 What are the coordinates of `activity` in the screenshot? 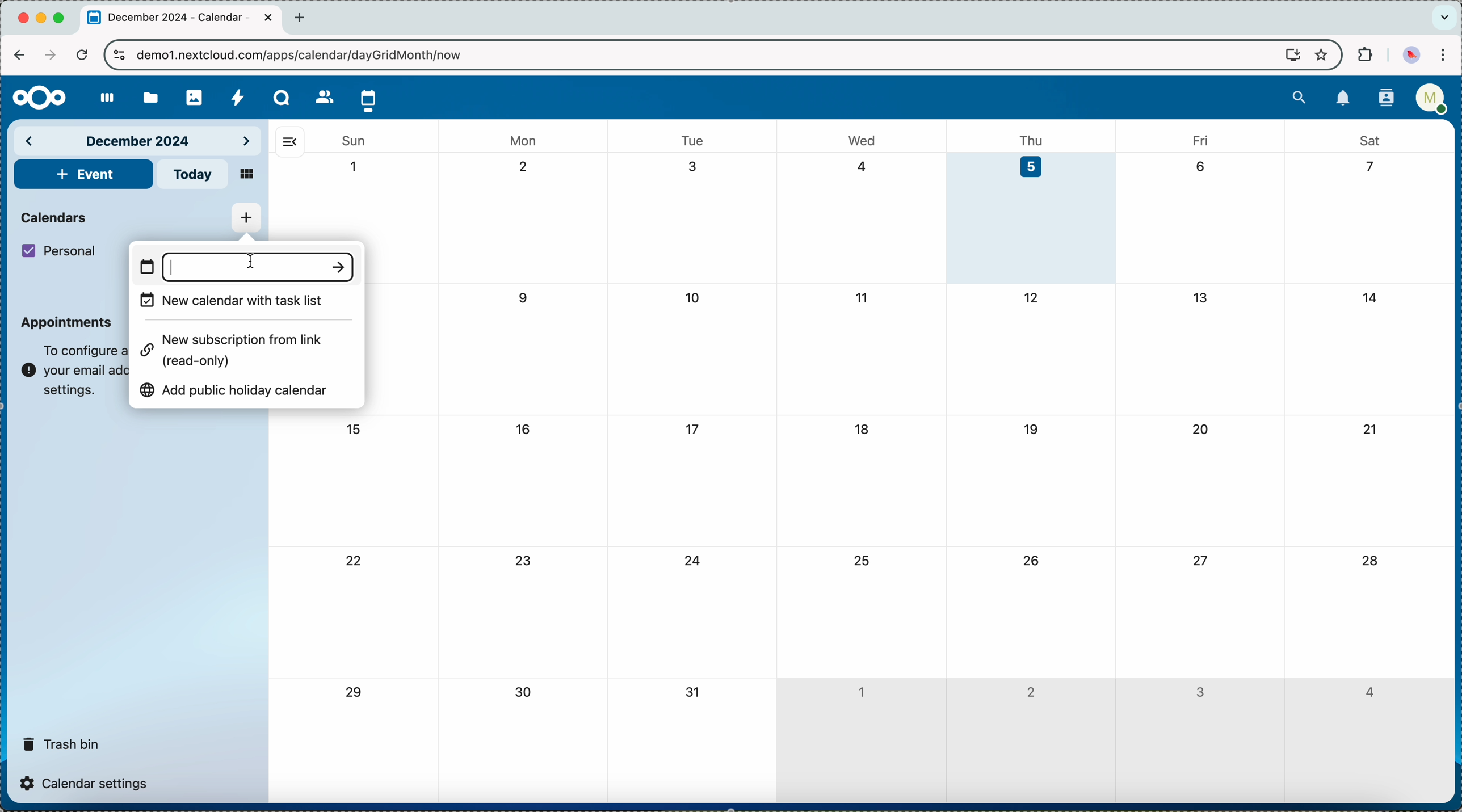 It's located at (238, 97).